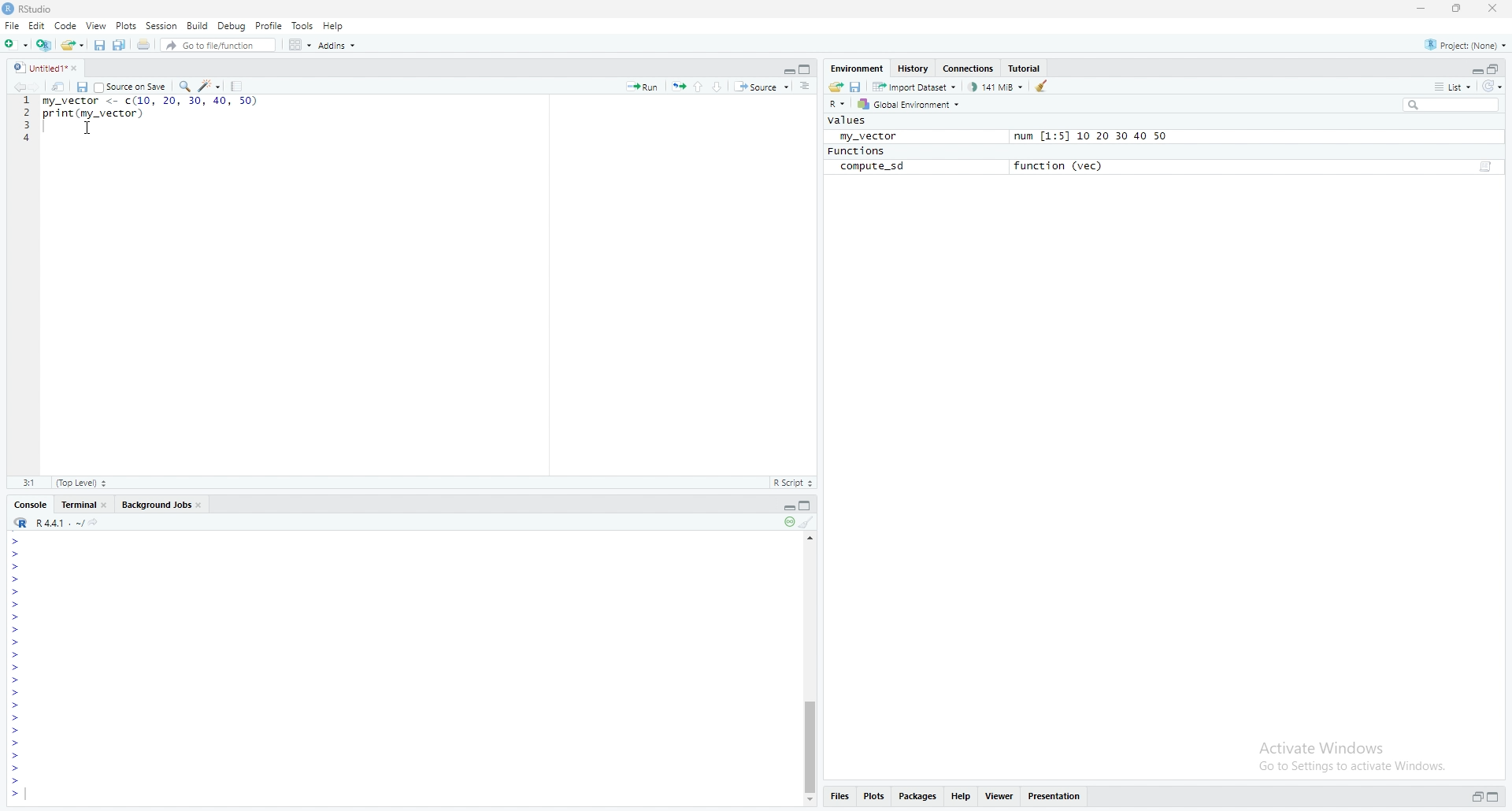 Image resolution: width=1512 pixels, height=811 pixels. What do you see at coordinates (72, 44) in the screenshot?
I see `Open an existing file (Ctrl + O)` at bounding box center [72, 44].